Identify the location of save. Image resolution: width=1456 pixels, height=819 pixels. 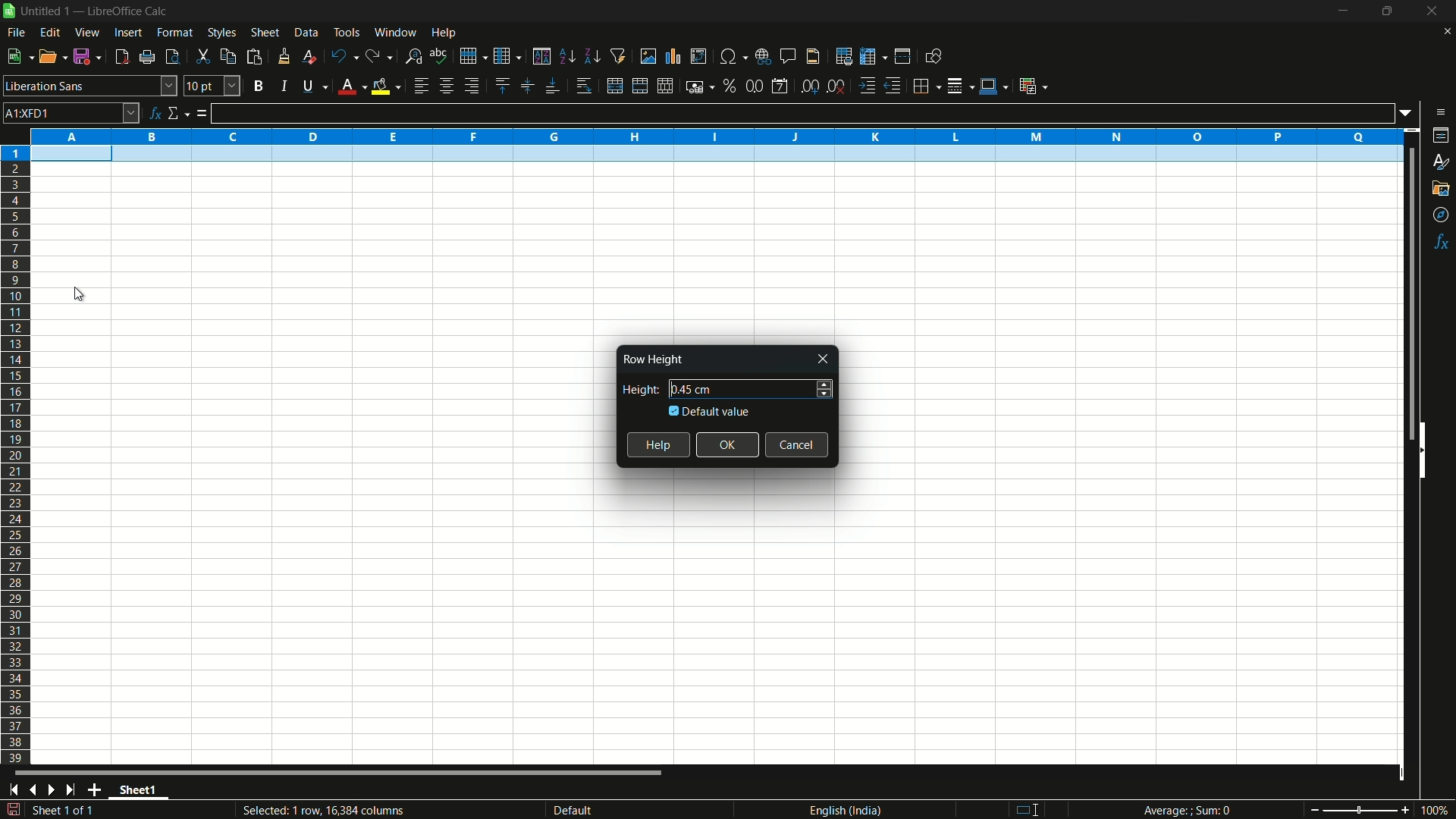
(89, 57).